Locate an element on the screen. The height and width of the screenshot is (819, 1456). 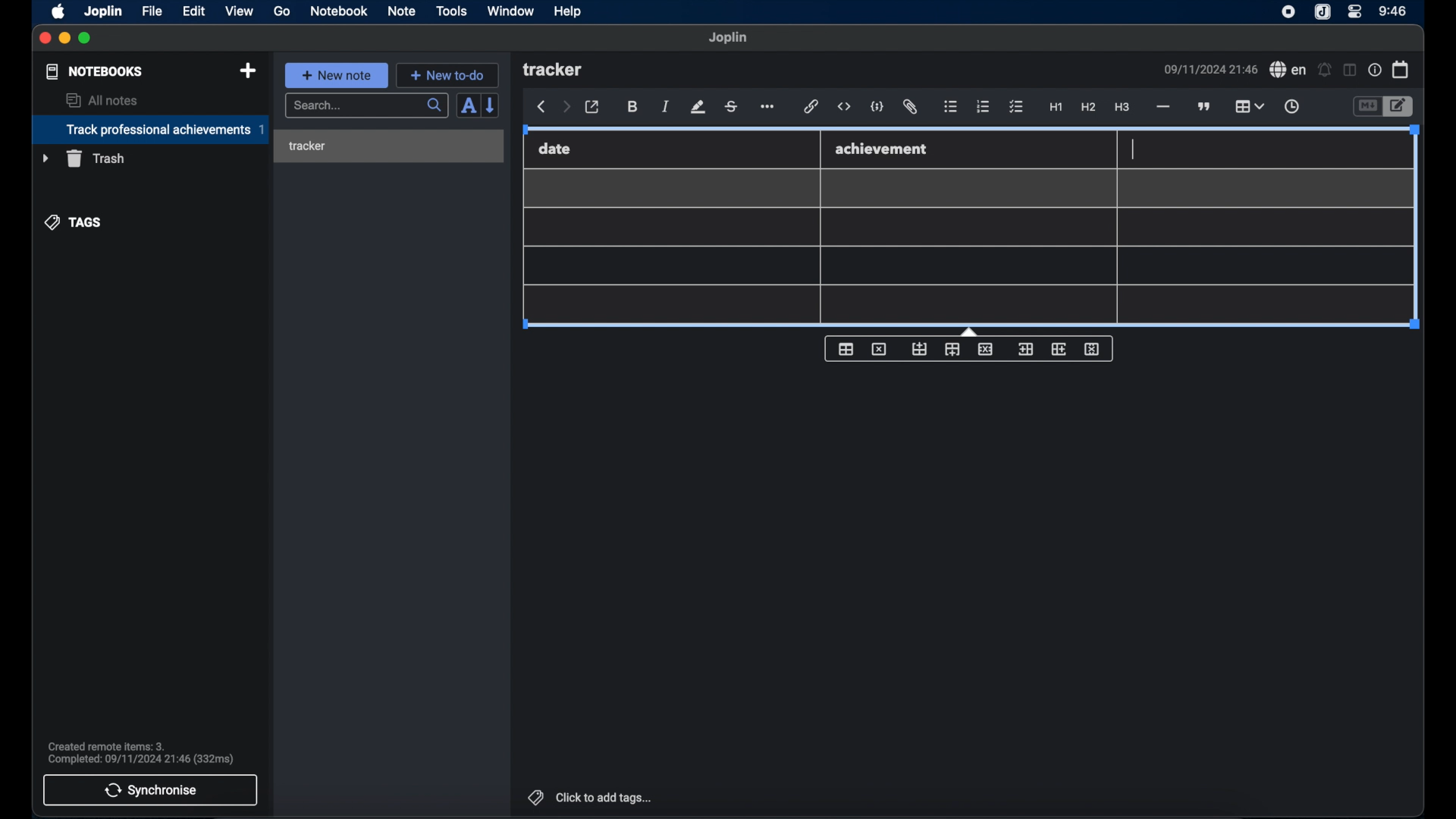
tracker is located at coordinates (307, 146).